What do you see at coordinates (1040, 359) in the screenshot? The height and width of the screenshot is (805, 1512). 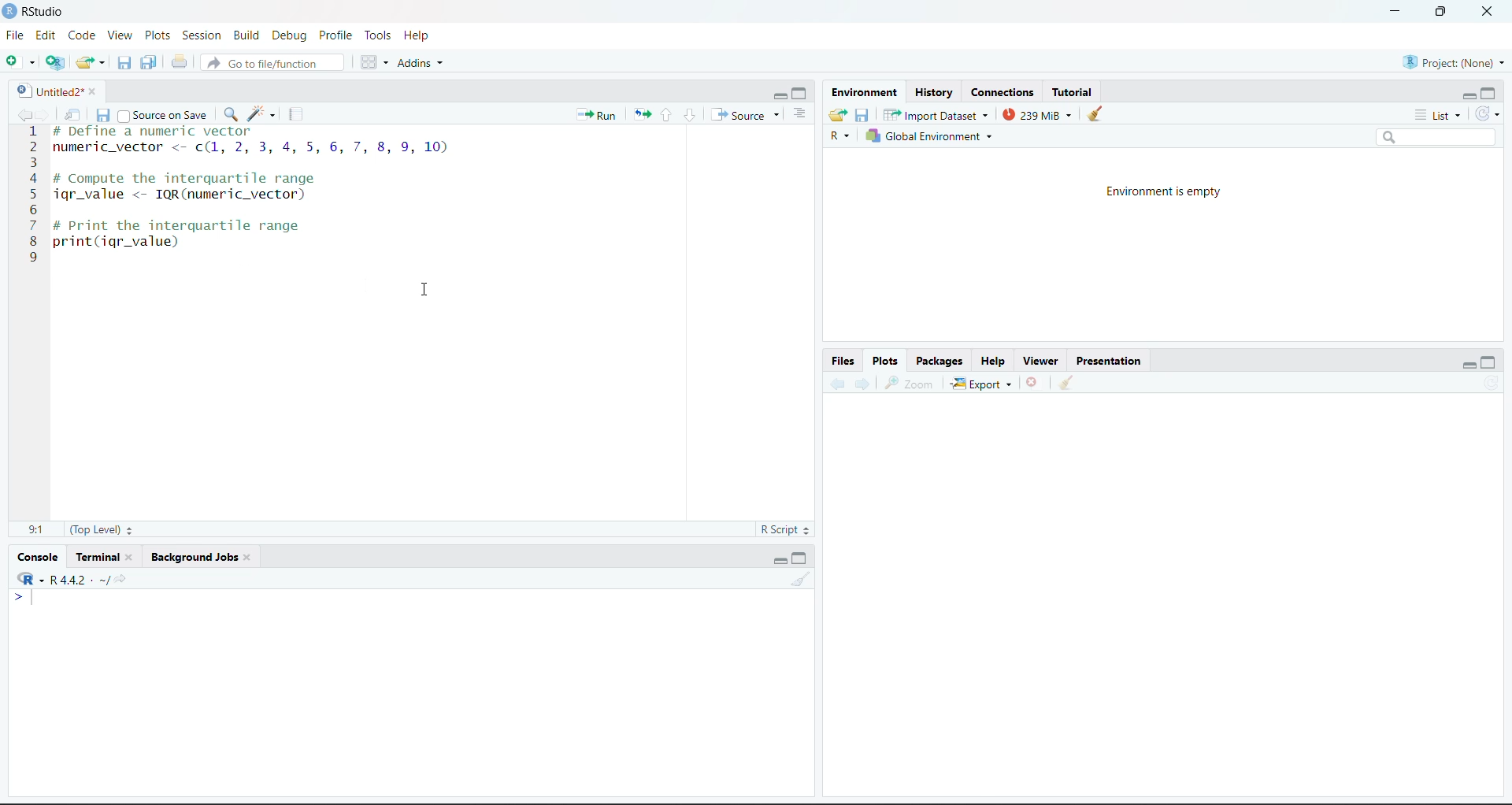 I see `Viewer` at bounding box center [1040, 359].